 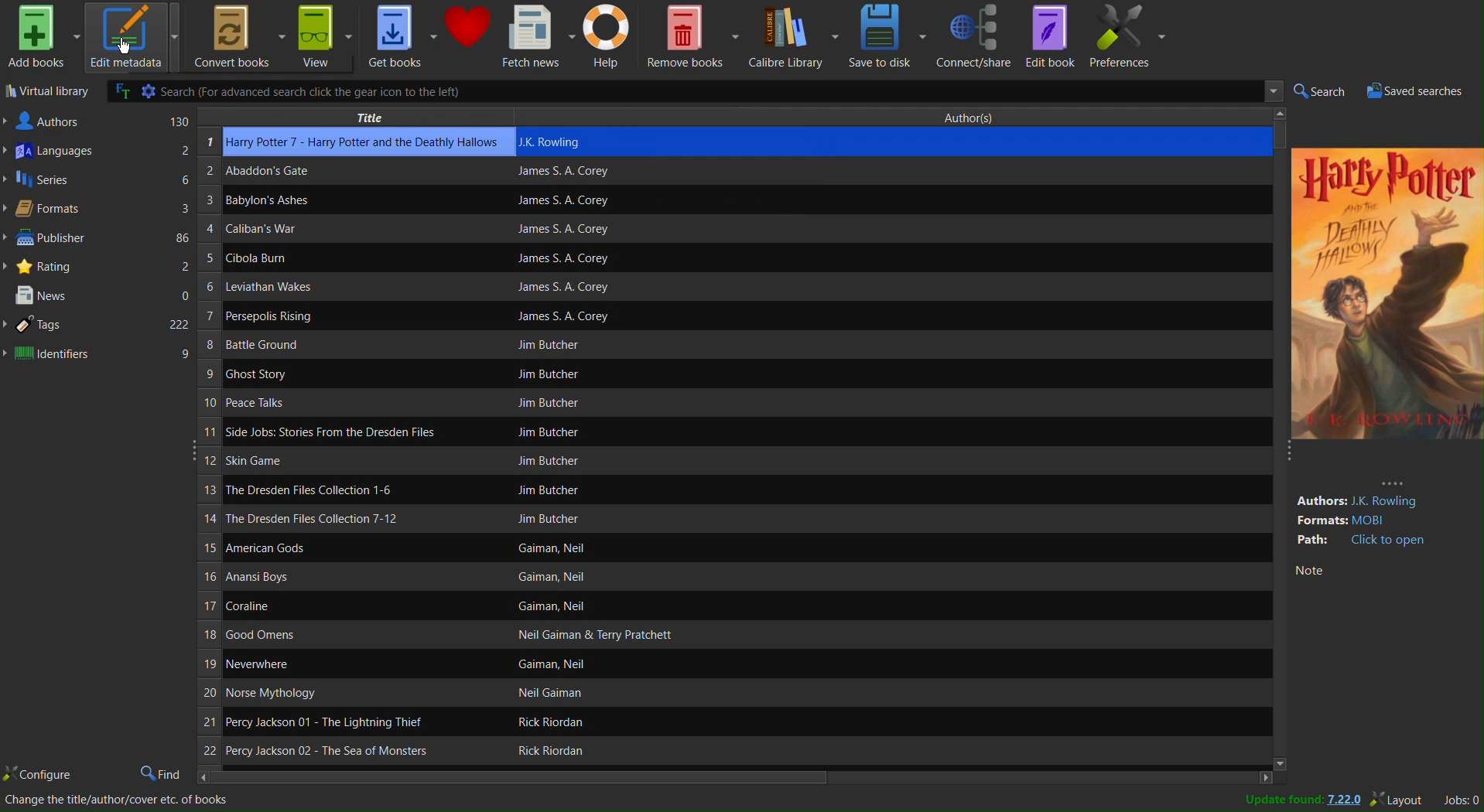 What do you see at coordinates (976, 36) in the screenshot?
I see `Connect/Share` at bounding box center [976, 36].